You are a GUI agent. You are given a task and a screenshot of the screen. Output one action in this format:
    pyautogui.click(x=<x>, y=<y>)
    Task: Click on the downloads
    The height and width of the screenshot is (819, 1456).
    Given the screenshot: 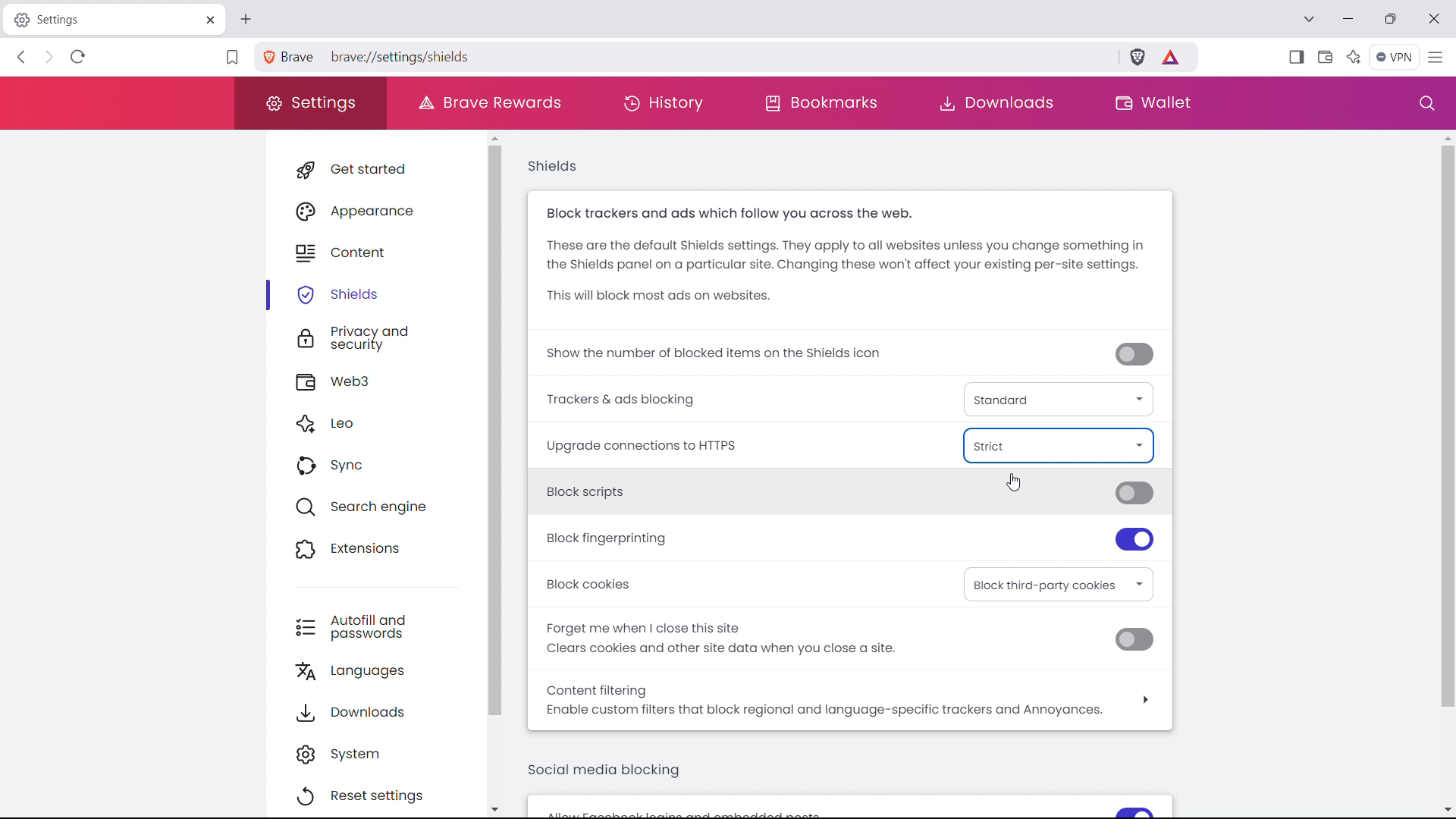 What is the action you would take?
    pyautogui.click(x=382, y=710)
    